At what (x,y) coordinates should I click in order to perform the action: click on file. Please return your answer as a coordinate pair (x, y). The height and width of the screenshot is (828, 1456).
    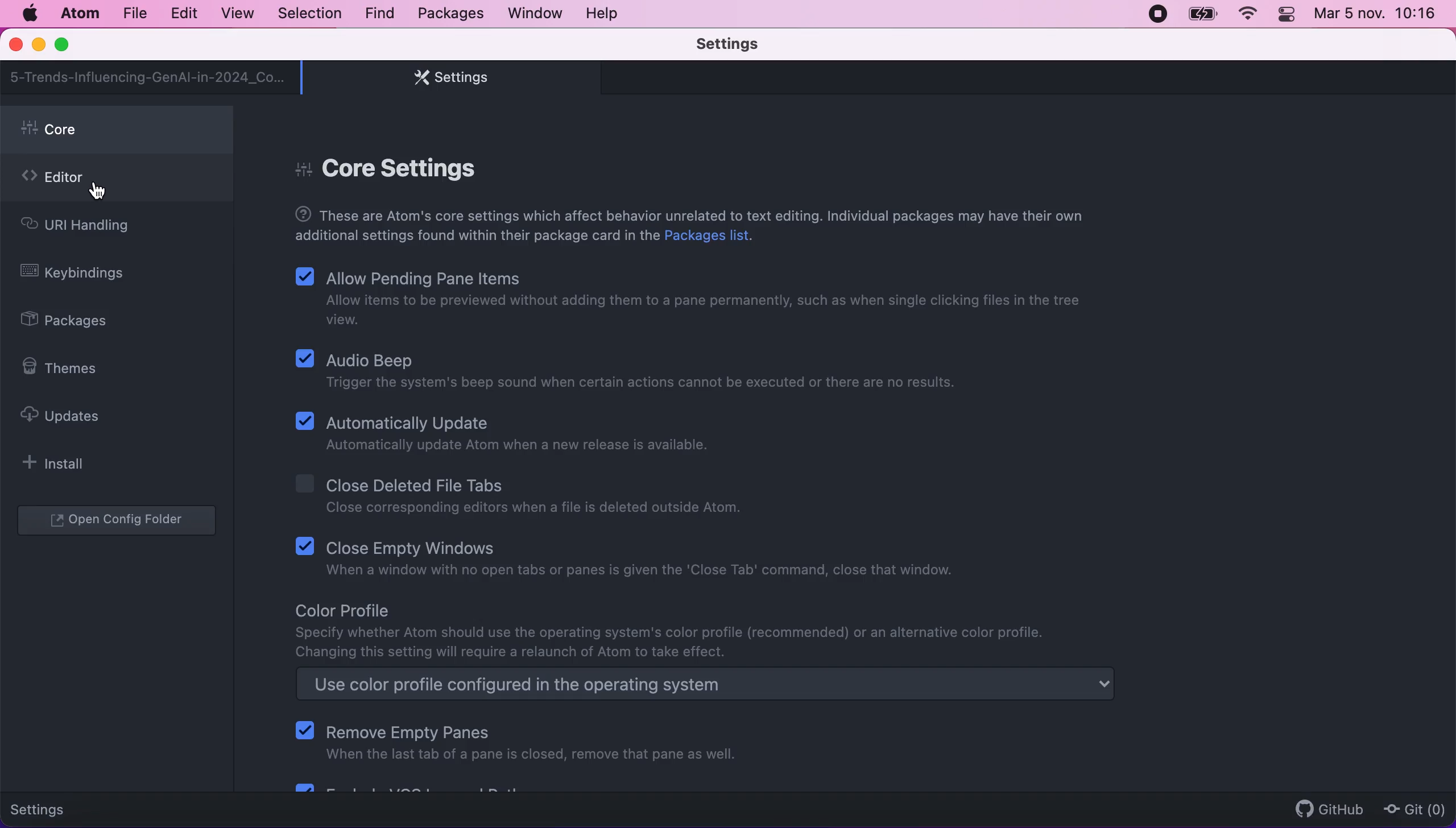
    Looking at the image, I should click on (134, 14).